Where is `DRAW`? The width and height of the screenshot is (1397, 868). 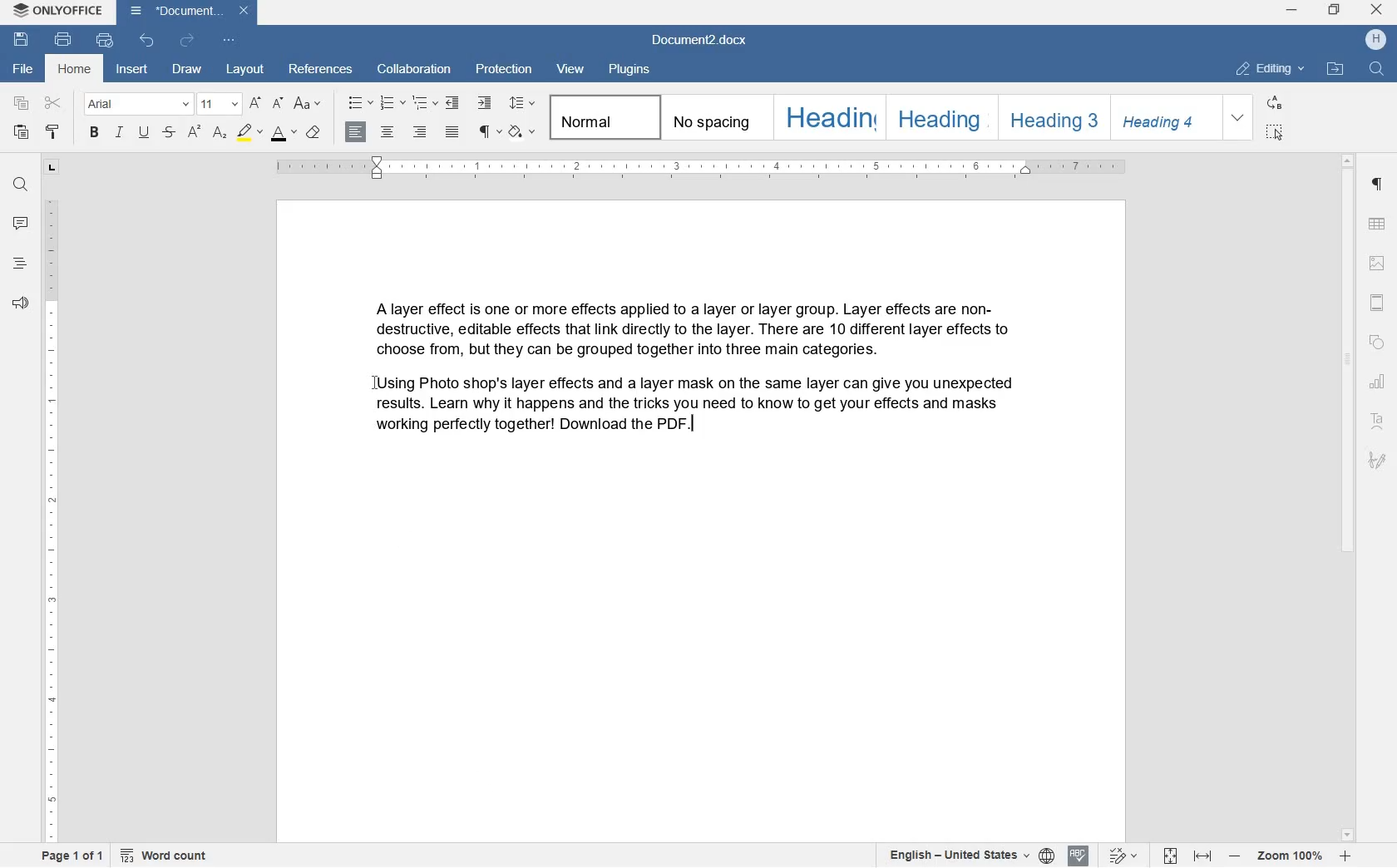 DRAW is located at coordinates (190, 70).